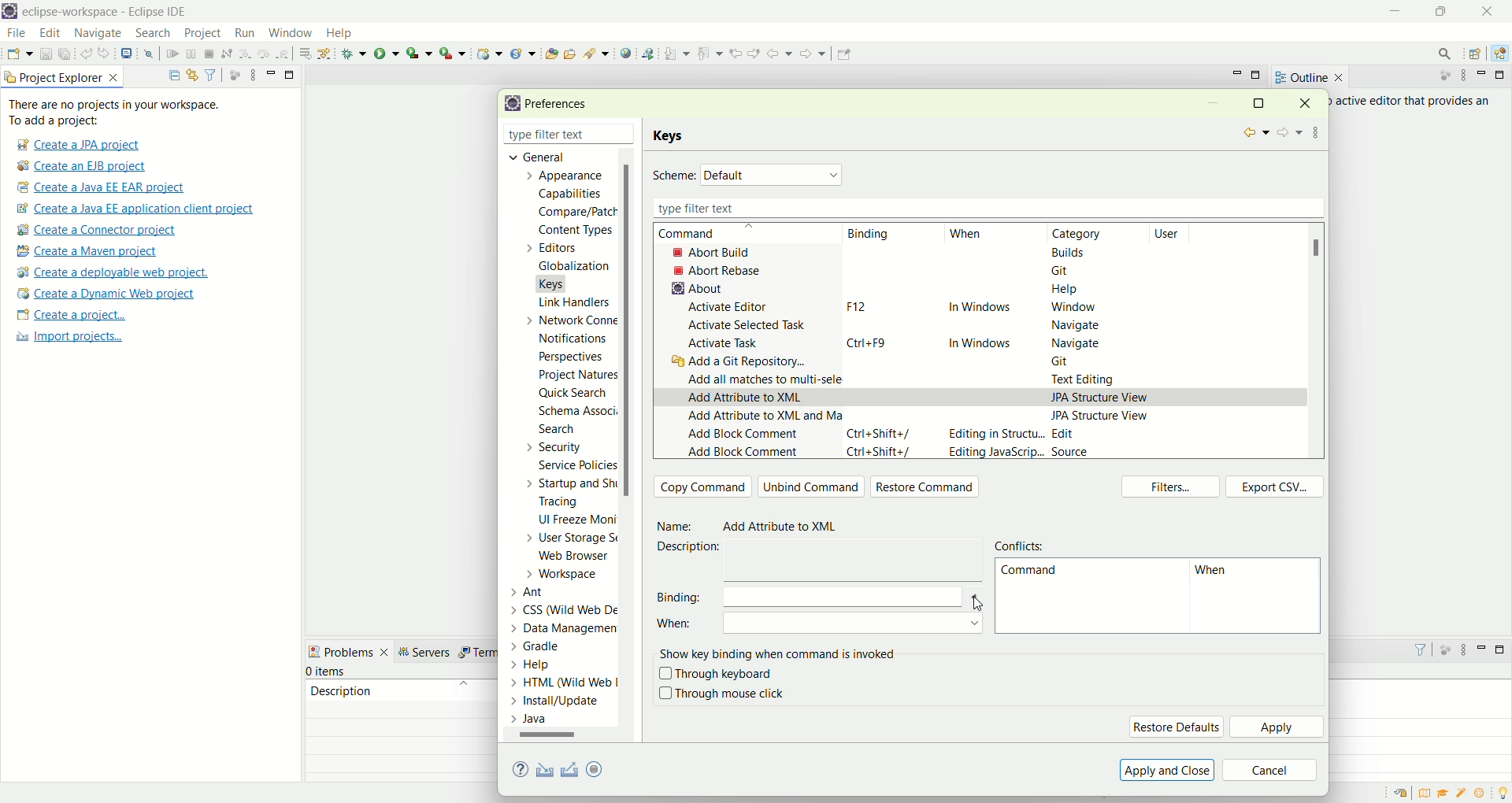 This screenshot has width=1512, height=803. I want to click on filters, so click(1174, 488).